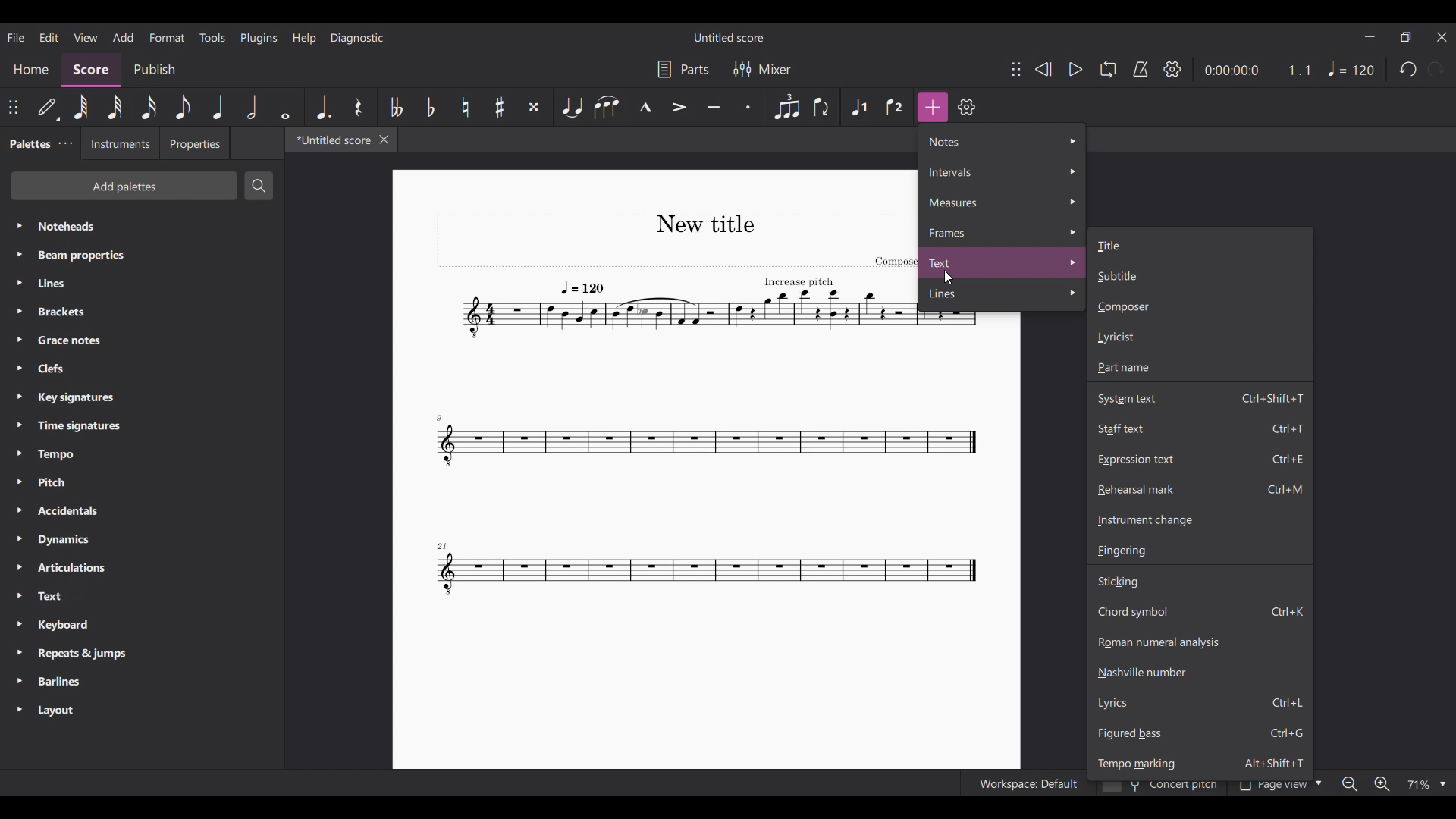 The height and width of the screenshot is (819, 1456). Describe the element at coordinates (896, 107) in the screenshot. I see `Voice 2` at that location.